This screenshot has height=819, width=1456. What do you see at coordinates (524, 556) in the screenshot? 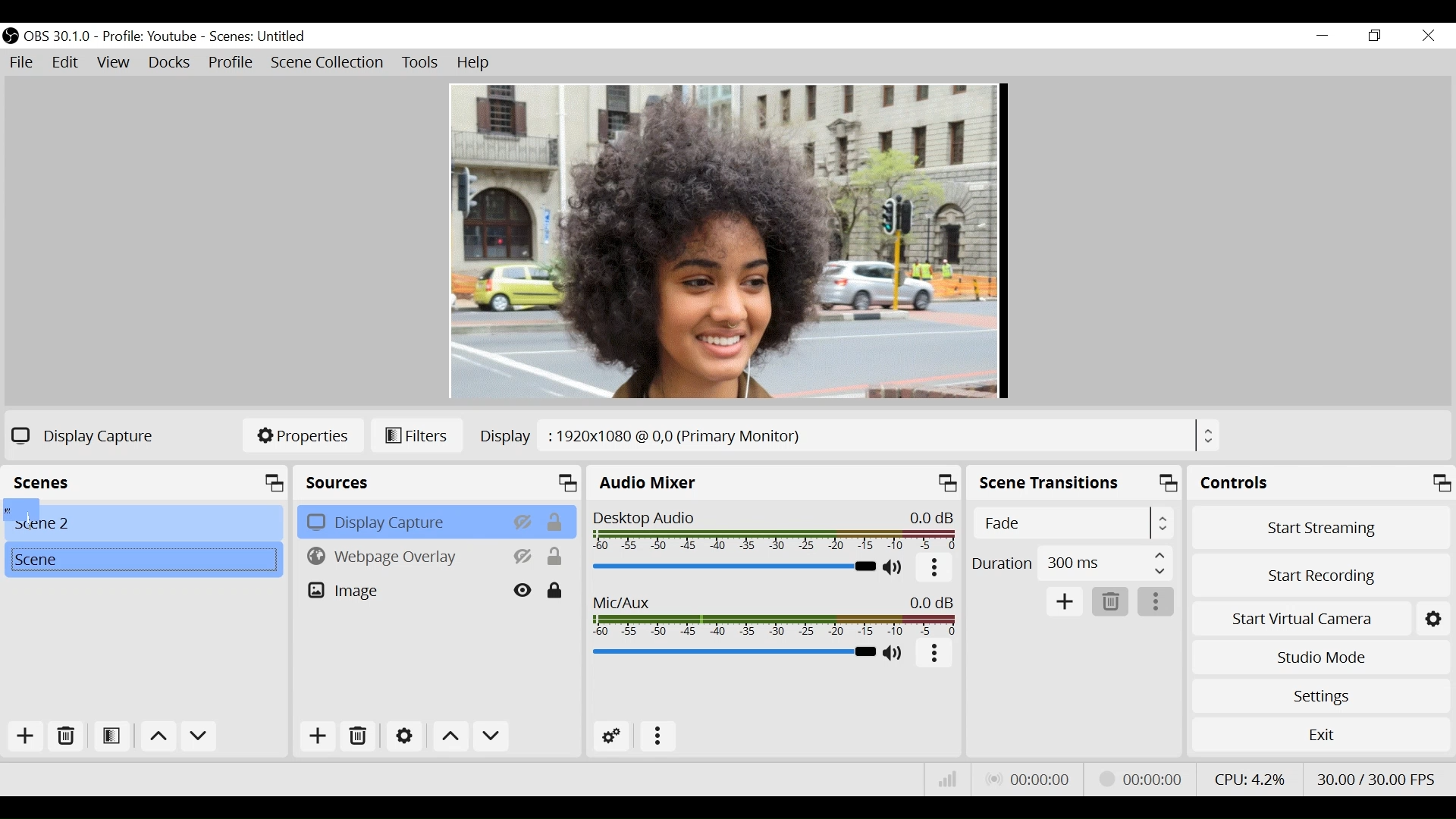
I see `HIde/Display` at bounding box center [524, 556].